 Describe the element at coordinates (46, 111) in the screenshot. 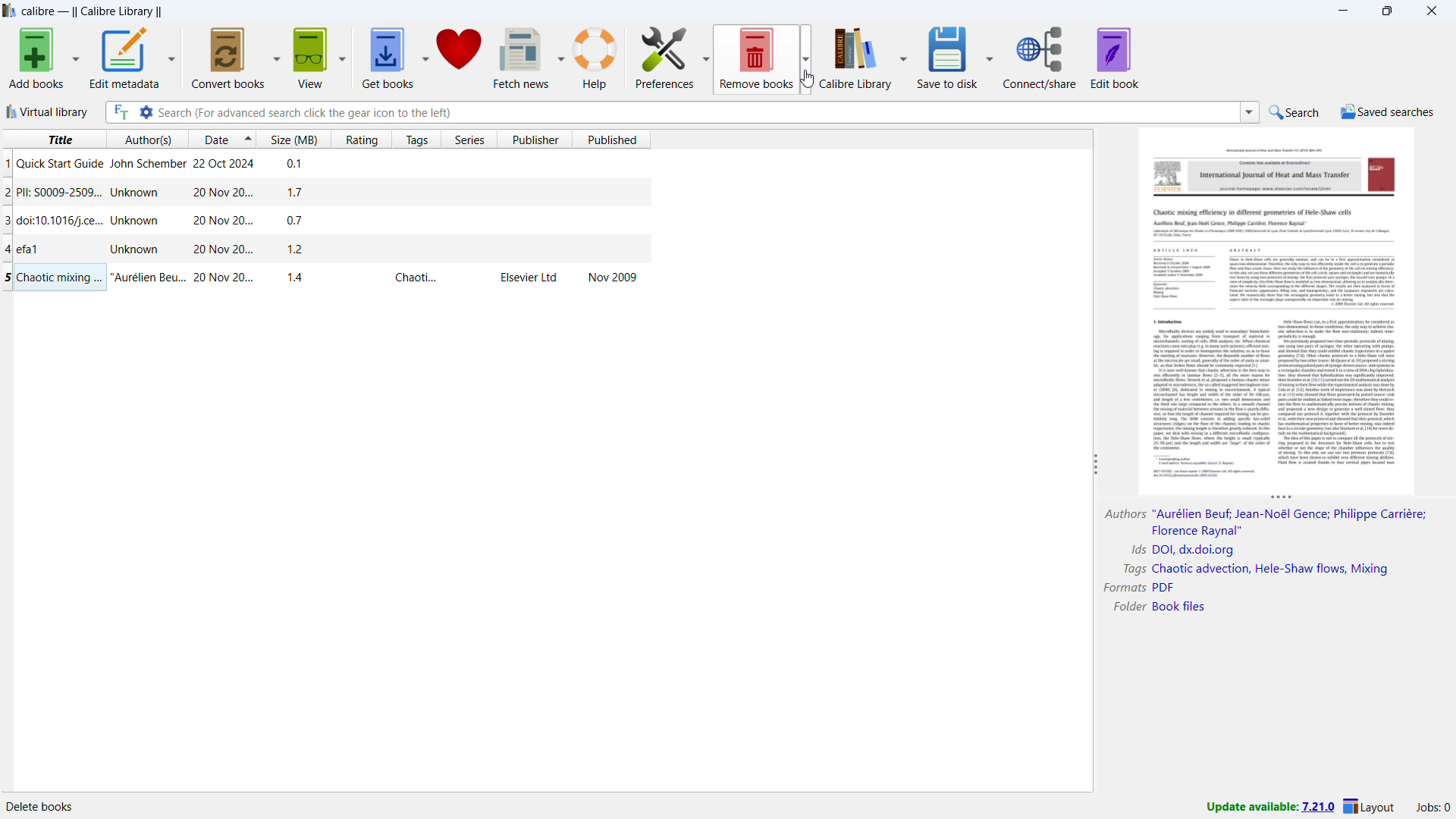

I see `virtual library` at that location.